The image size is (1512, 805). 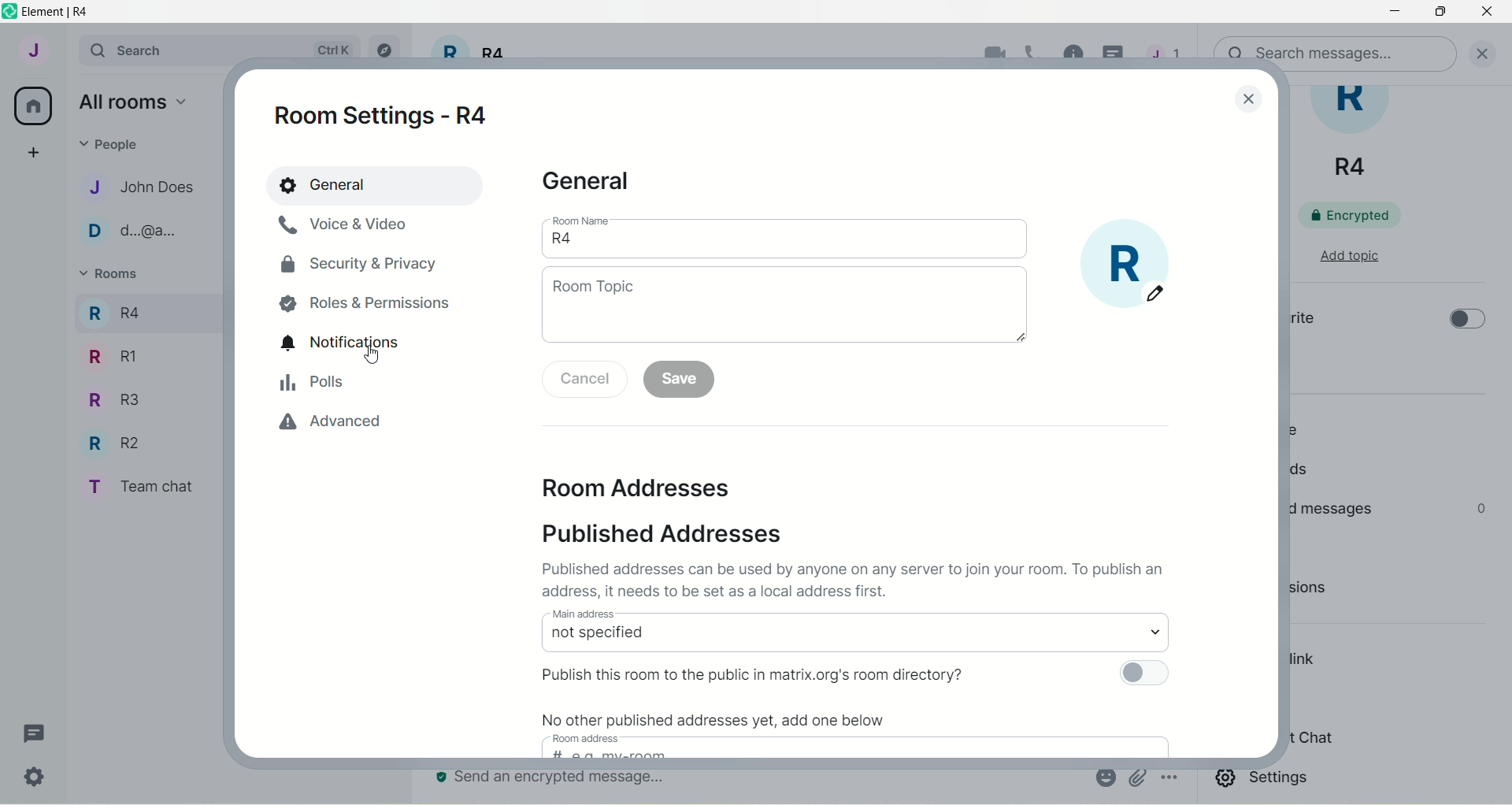 I want to click on polls, so click(x=313, y=382).